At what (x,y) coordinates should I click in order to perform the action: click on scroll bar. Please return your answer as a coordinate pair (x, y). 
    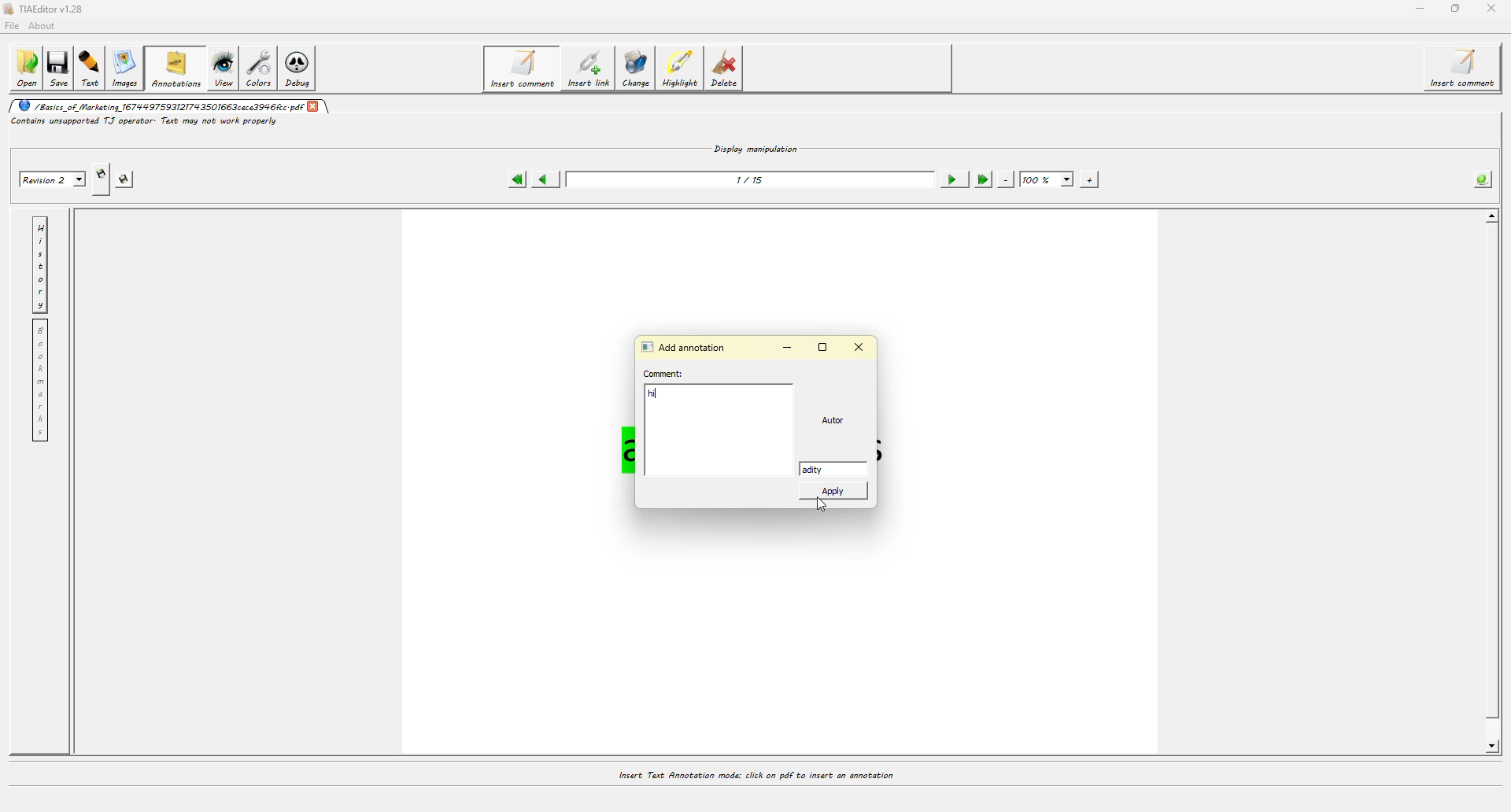
    Looking at the image, I should click on (1494, 489).